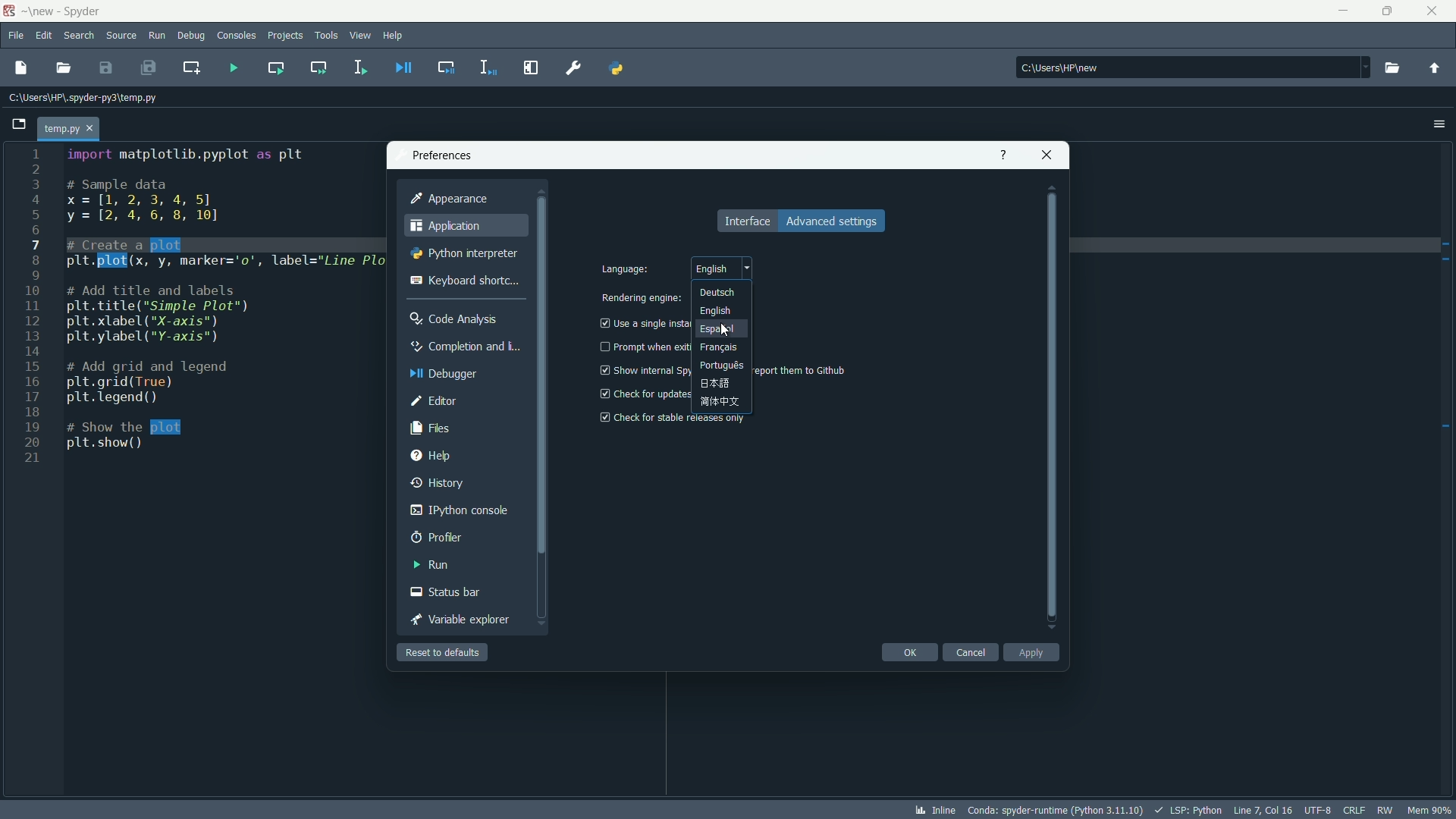  Describe the element at coordinates (937, 811) in the screenshot. I see `inline` at that location.